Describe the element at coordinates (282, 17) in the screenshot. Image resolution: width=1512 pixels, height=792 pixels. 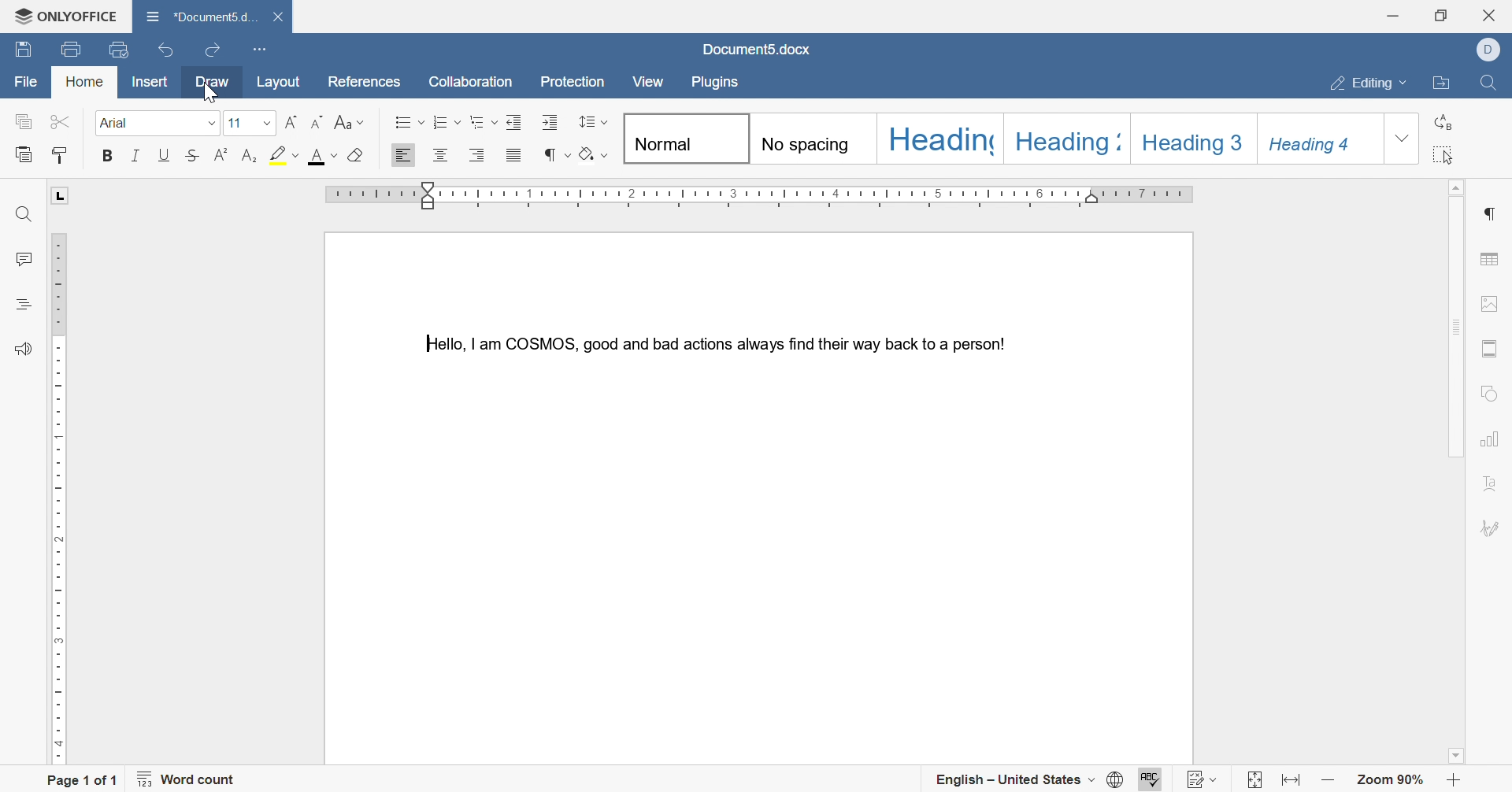
I see `close` at that location.